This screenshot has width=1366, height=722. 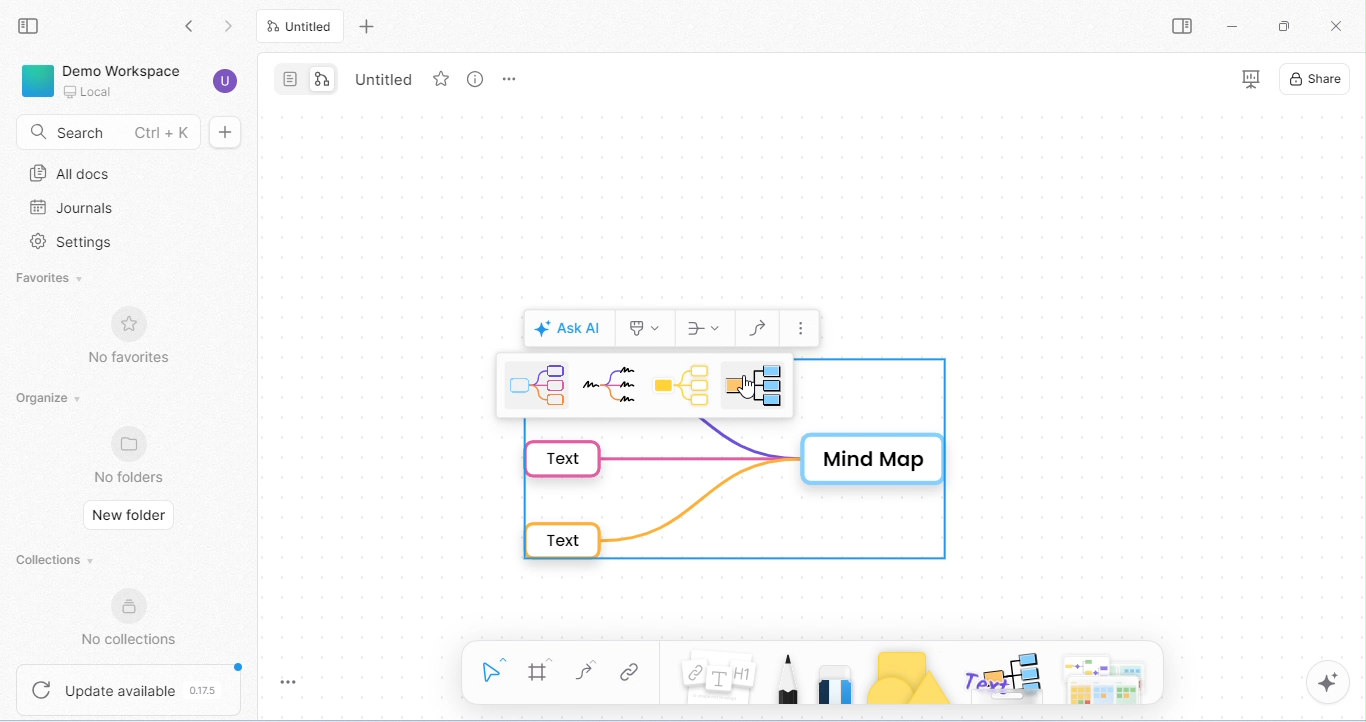 What do you see at coordinates (298, 25) in the screenshot?
I see `current tab` at bounding box center [298, 25].